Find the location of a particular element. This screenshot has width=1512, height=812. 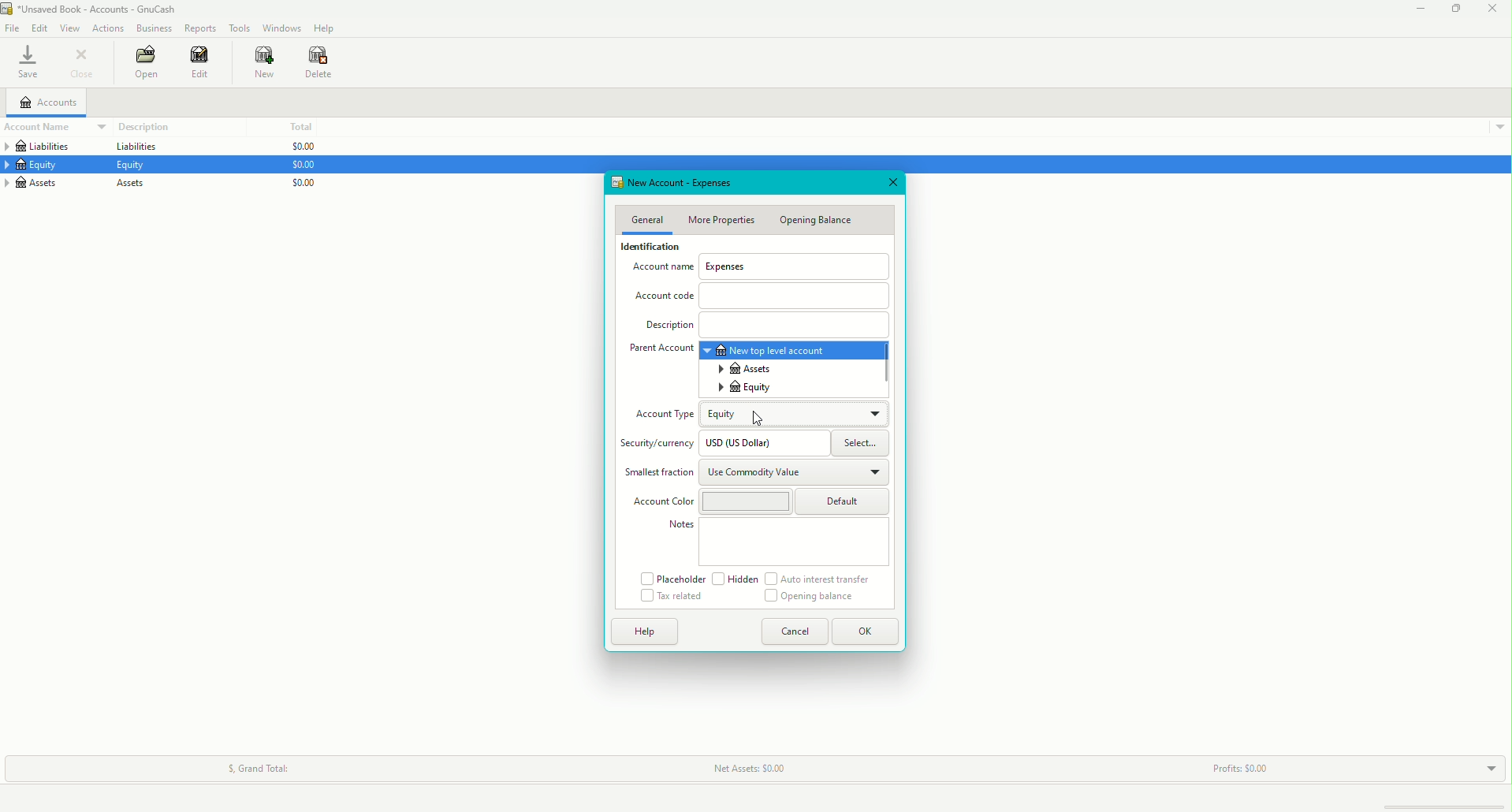

Equity is located at coordinates (795, 388).